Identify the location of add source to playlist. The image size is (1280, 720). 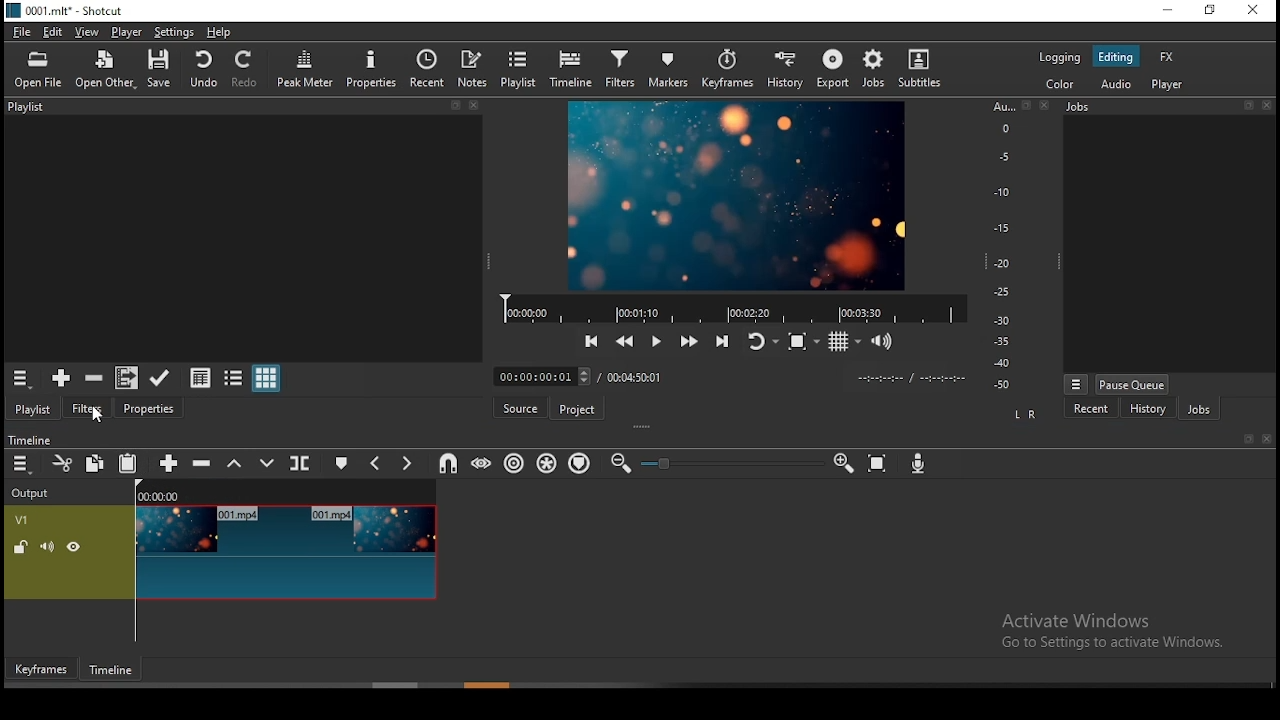
(61, 380).